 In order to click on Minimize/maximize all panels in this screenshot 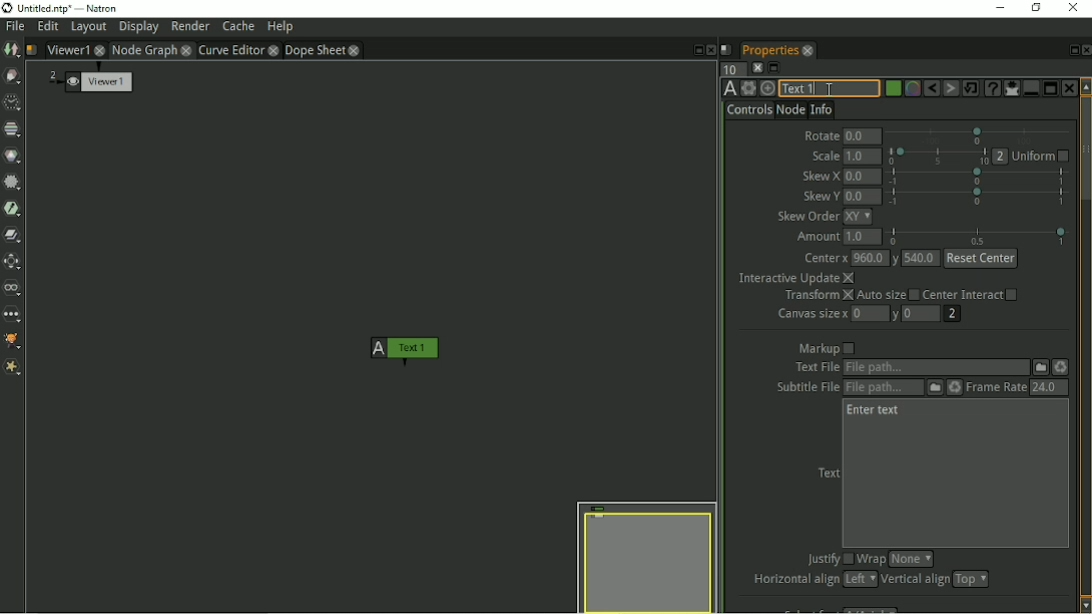, I will do `click(774, 68)`.